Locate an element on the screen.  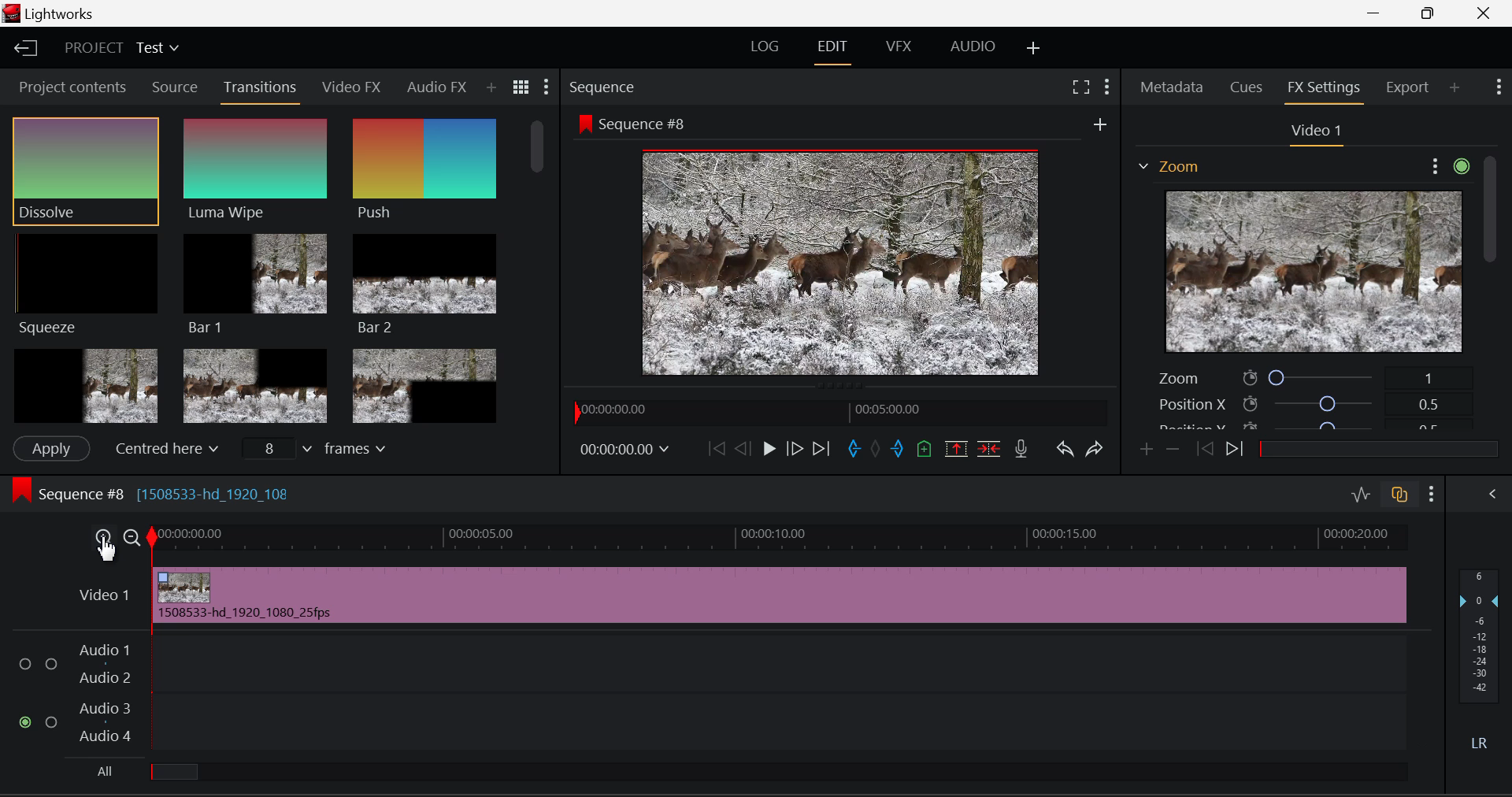
Export is located at coordinates (1406, 88).